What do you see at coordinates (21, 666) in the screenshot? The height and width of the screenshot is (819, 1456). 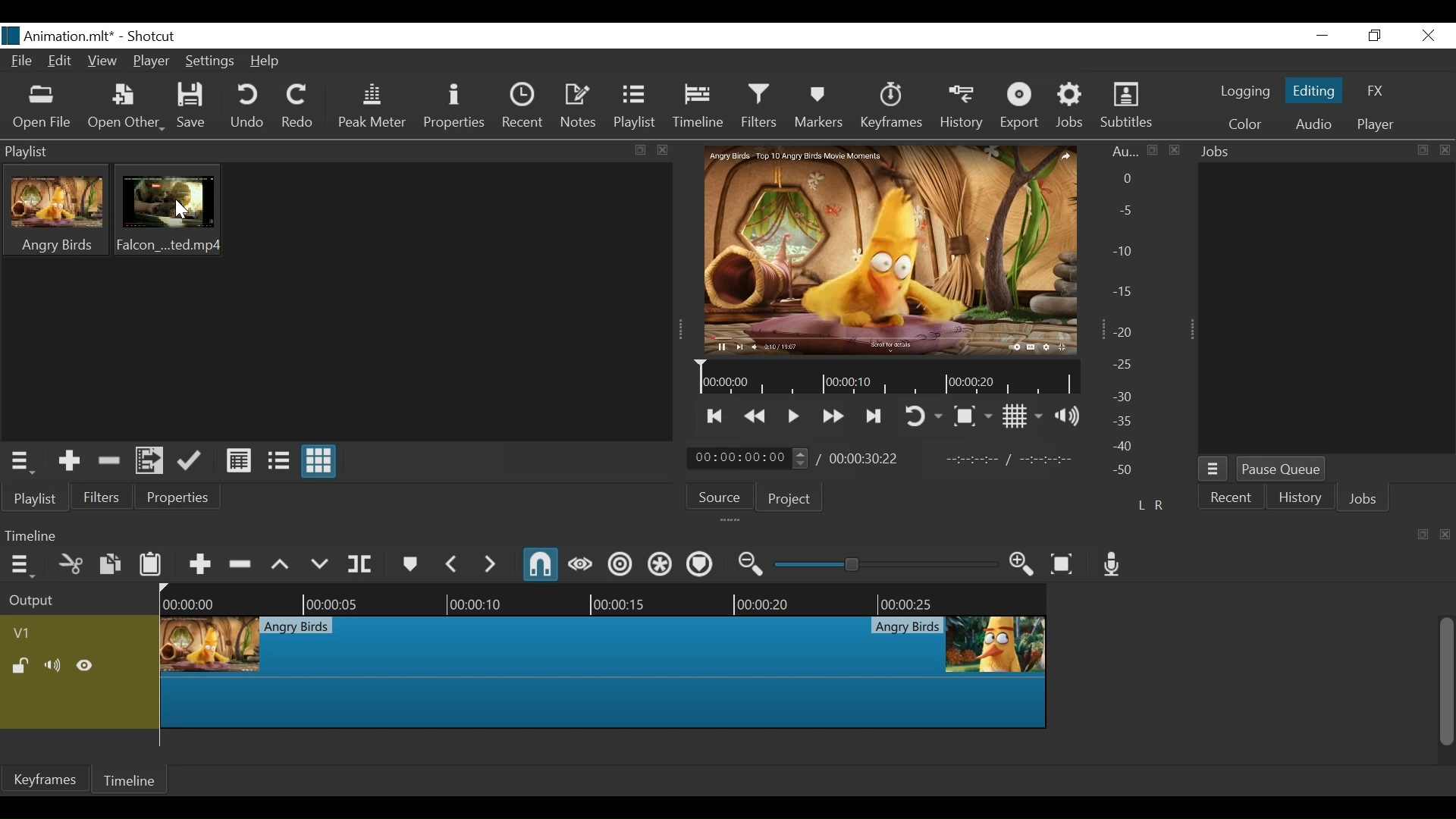 I see `(un)lock track` at bounding box center [21, 666].